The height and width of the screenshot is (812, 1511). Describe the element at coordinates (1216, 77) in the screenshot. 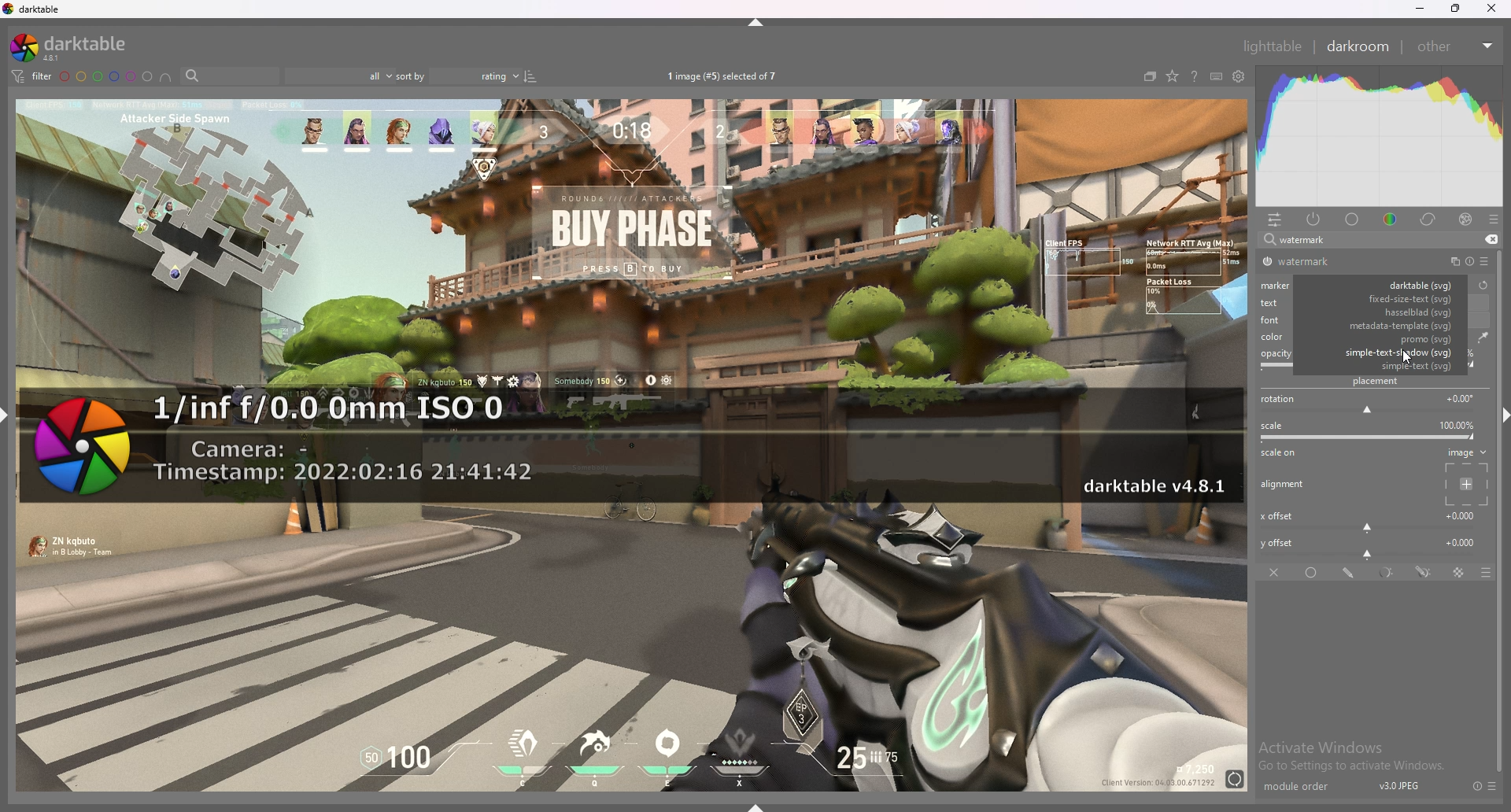

I see `keyboard shortcut` at that location.